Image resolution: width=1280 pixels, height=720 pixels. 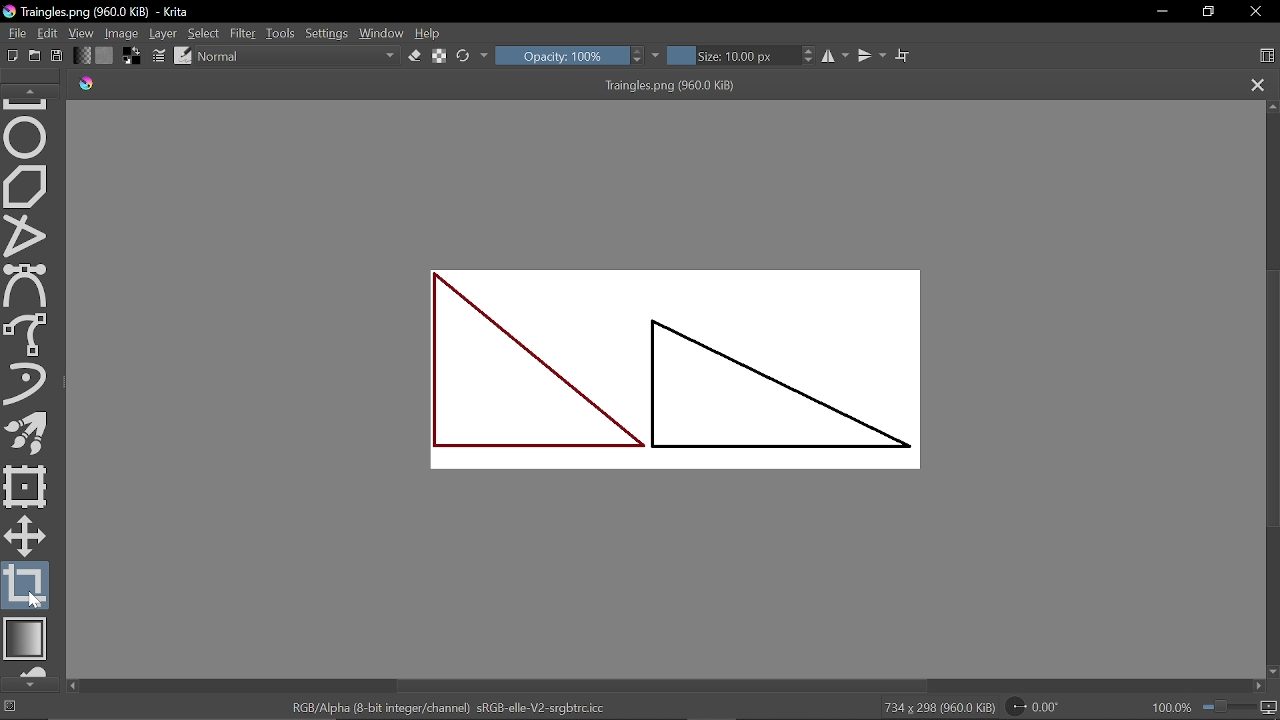 I want to click on Close tab, so click(x=1258, y=86).